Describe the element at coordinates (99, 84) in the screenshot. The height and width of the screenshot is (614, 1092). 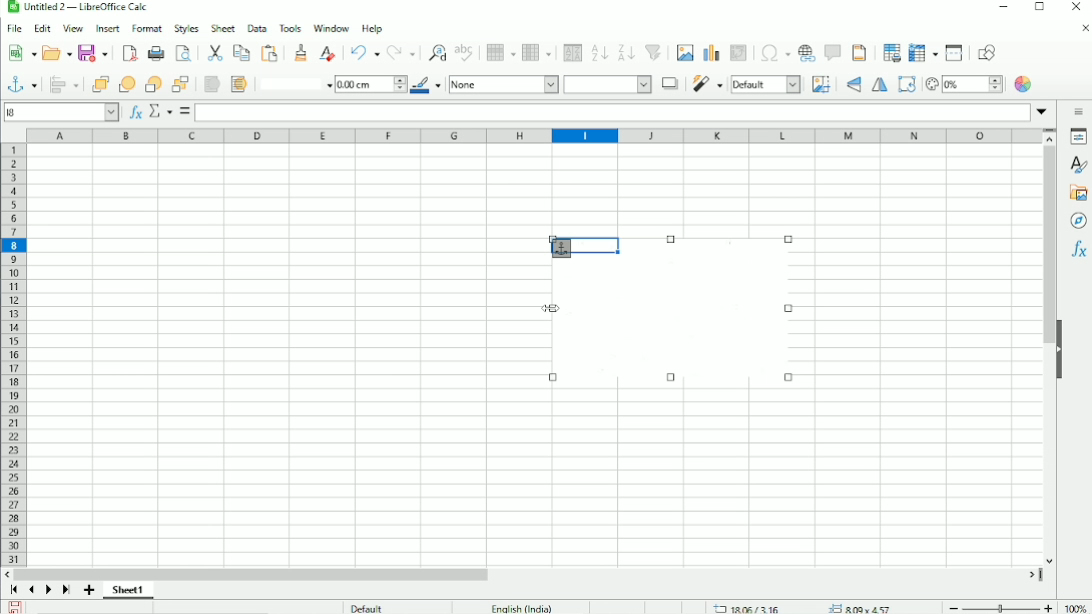
I see `Bring to front` at that location.